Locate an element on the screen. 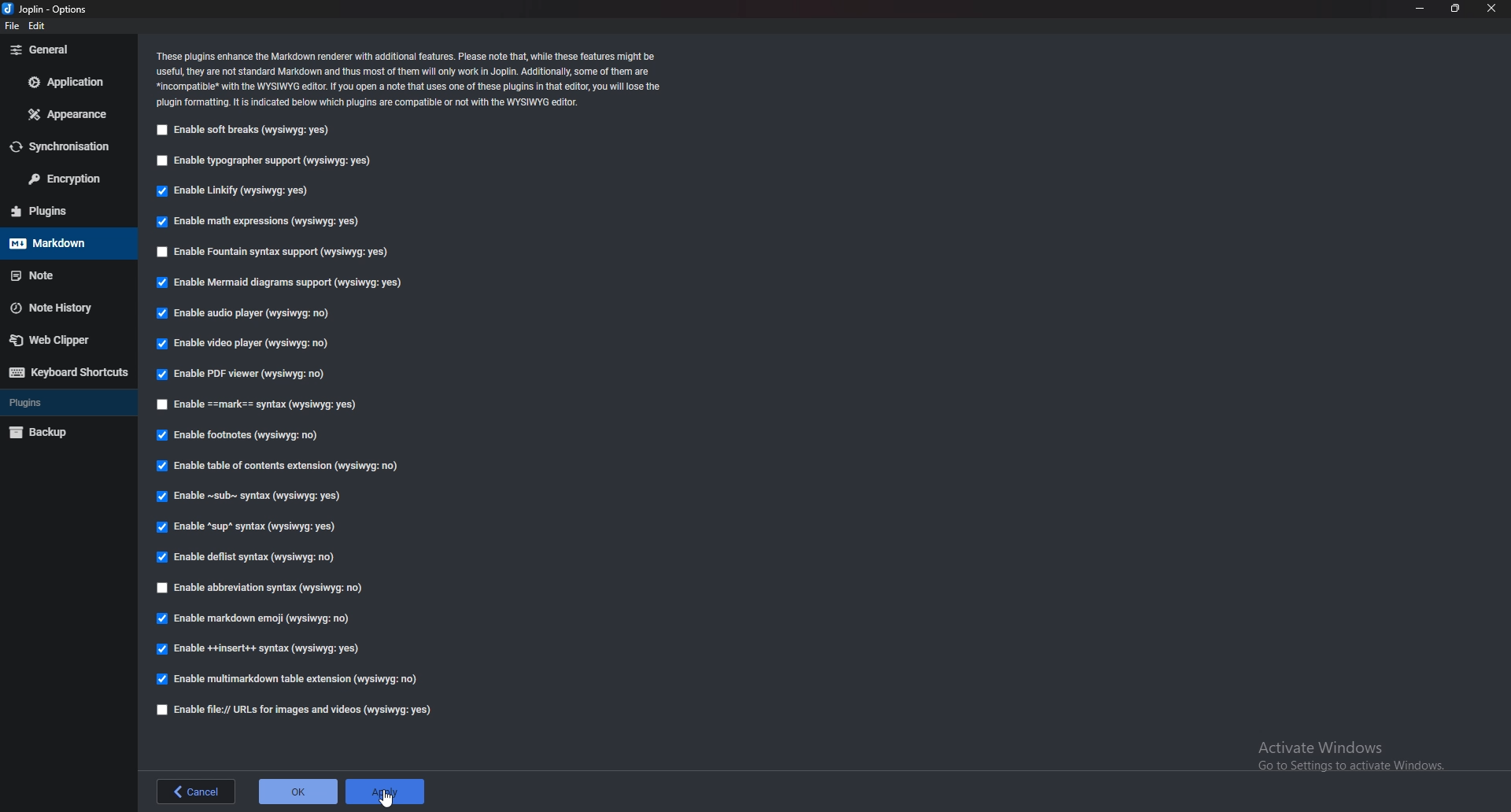 This screenshot has height=812, width=1511. back is located at coordinates (198, 792).